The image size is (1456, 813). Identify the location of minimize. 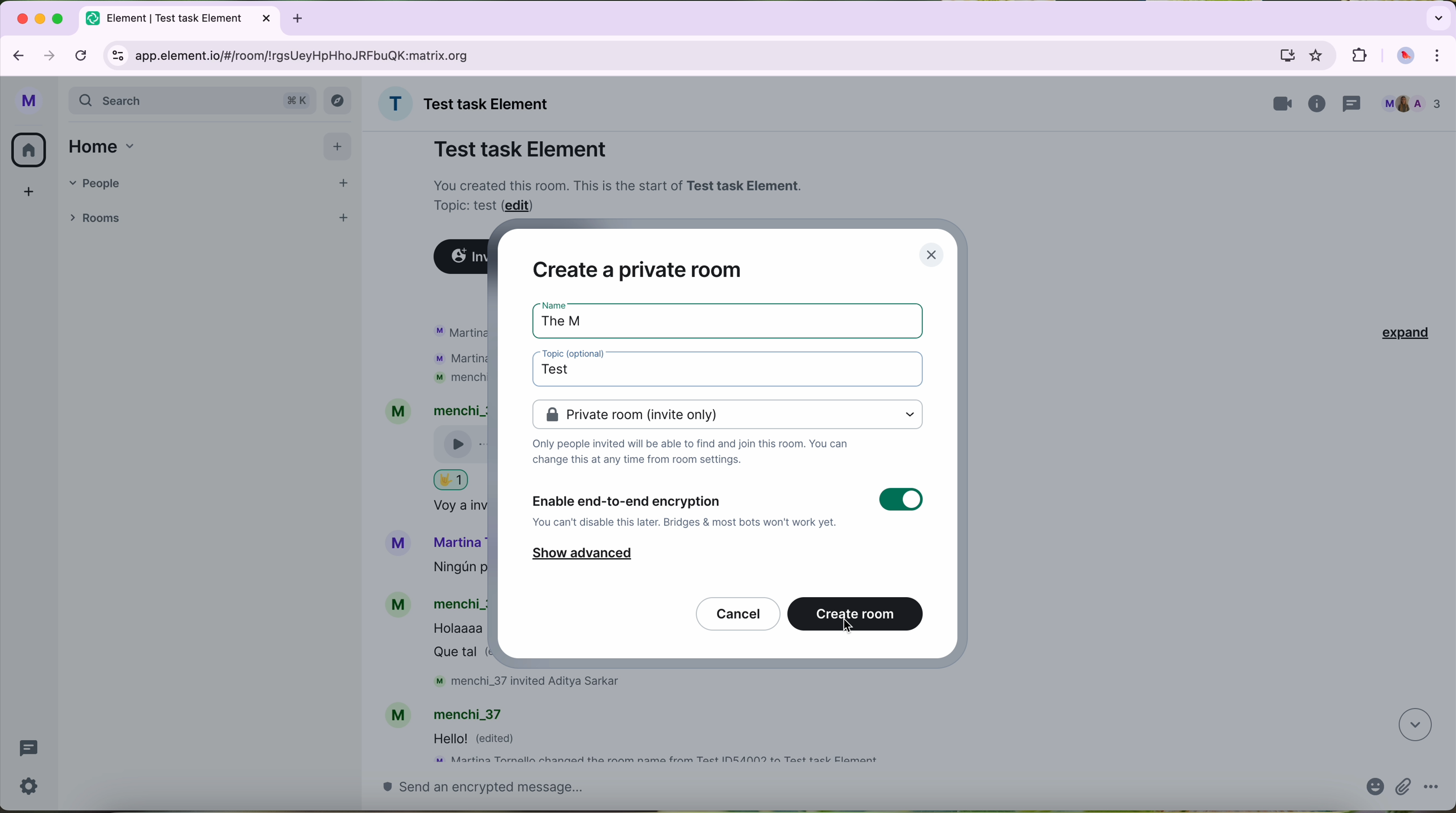
(42, 19).